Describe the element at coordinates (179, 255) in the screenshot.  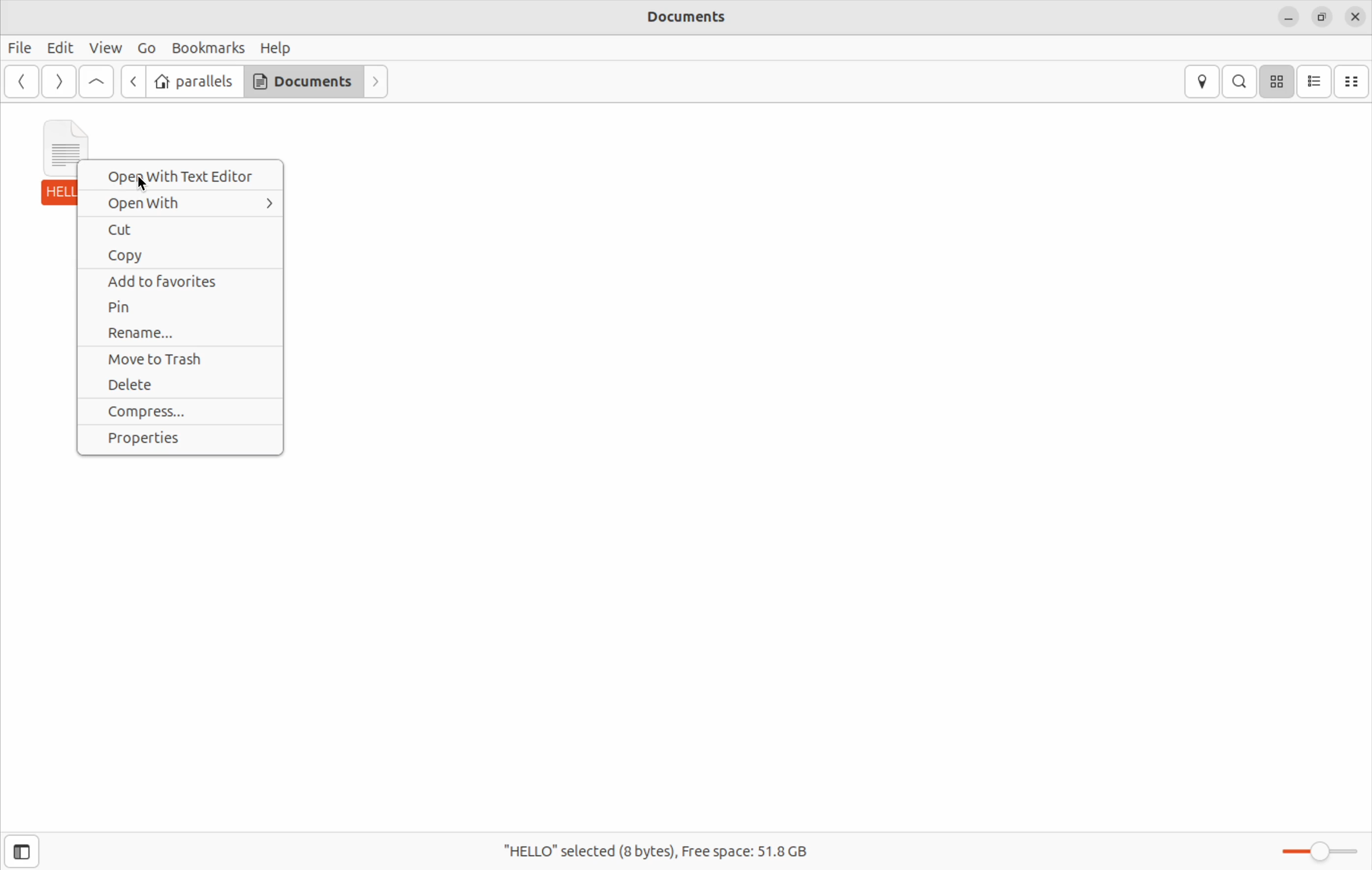
I see `Copy` at that location.